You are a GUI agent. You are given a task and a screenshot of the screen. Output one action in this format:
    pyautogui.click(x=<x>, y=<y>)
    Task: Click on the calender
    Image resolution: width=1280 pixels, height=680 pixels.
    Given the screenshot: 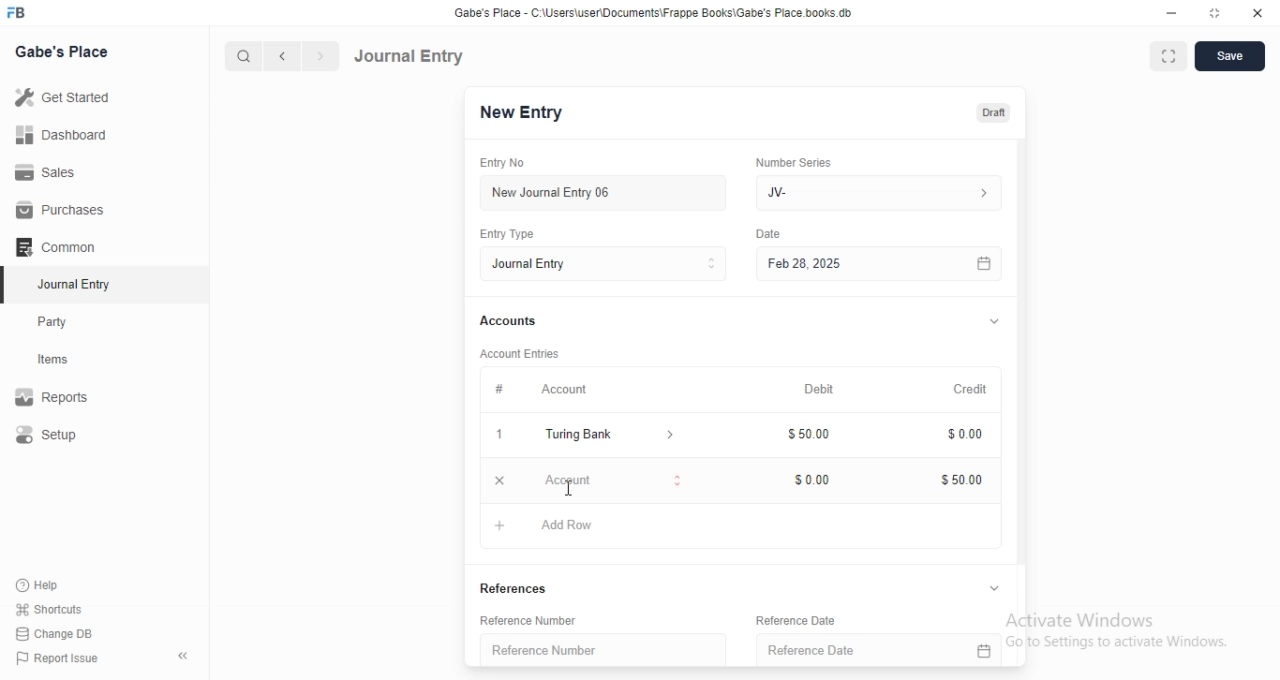 What is the action you would take?
    pyautogui.click(x=984, y=263)
    